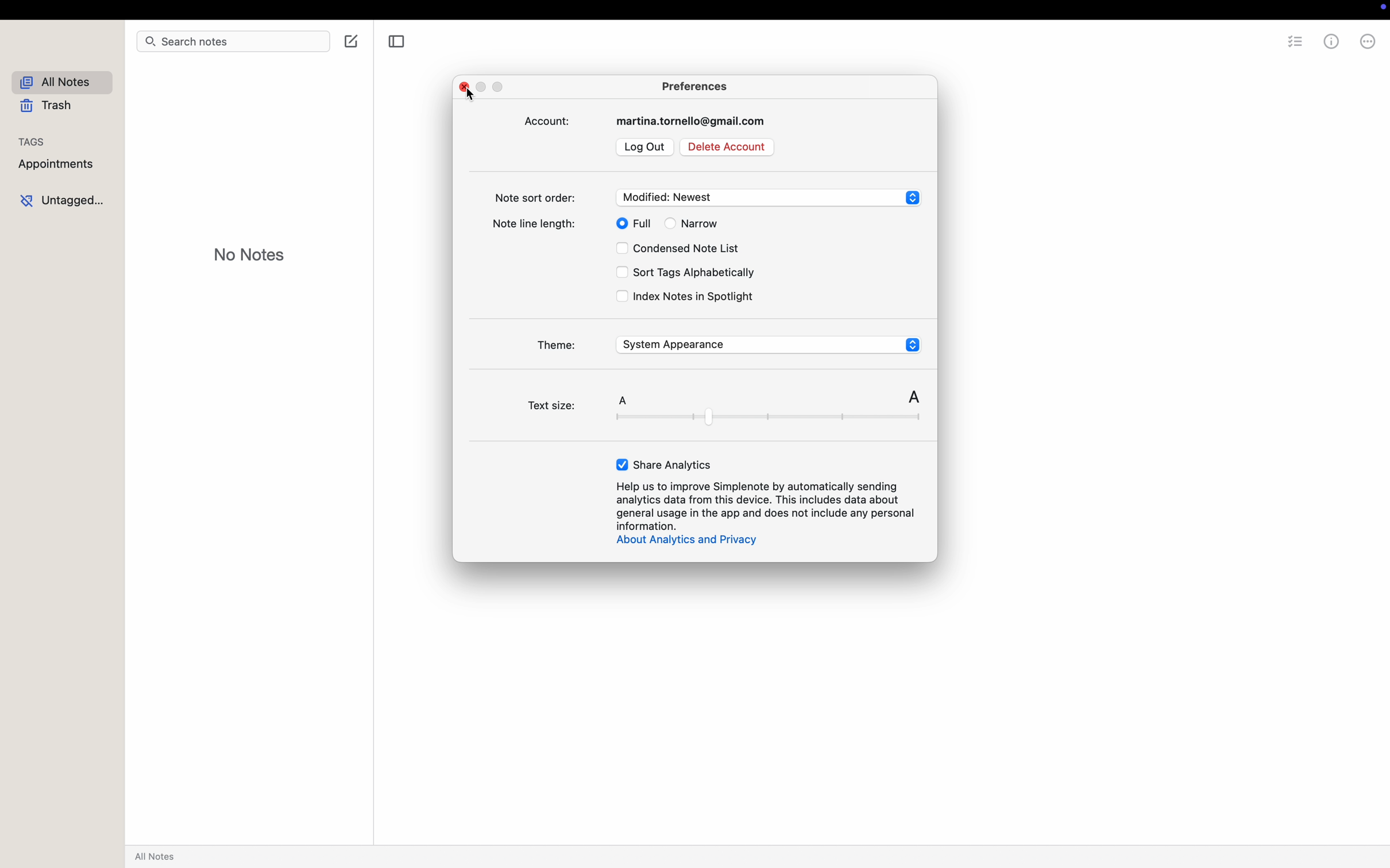 This screenshot has height=868, width=1390. Describe the element at coordinates (482, 86) in the screenshot. I see `minimize popup` at that location.